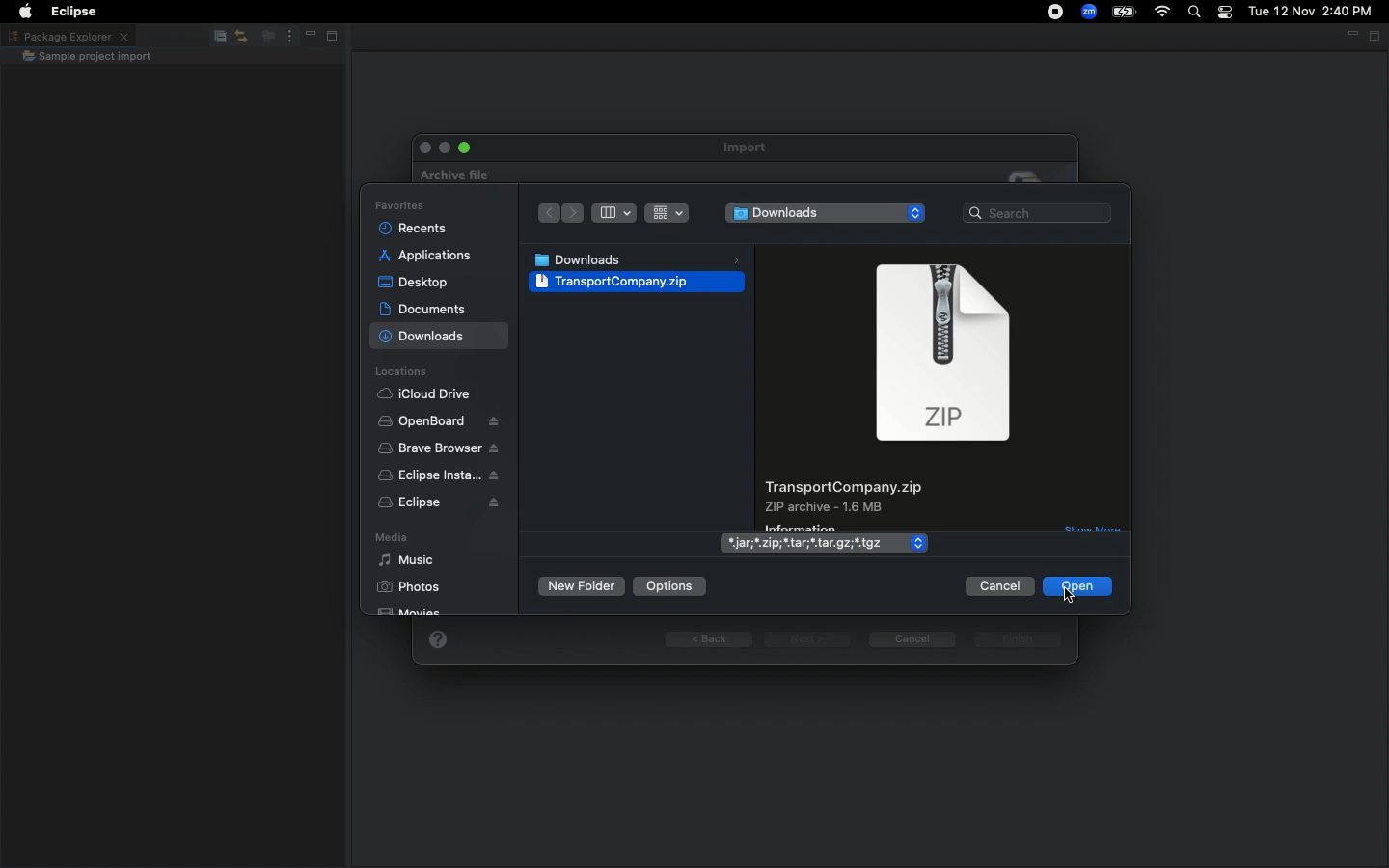  Describe the element at coordinates (431, 339) in the screenshot. I see `Downloads` at that location.